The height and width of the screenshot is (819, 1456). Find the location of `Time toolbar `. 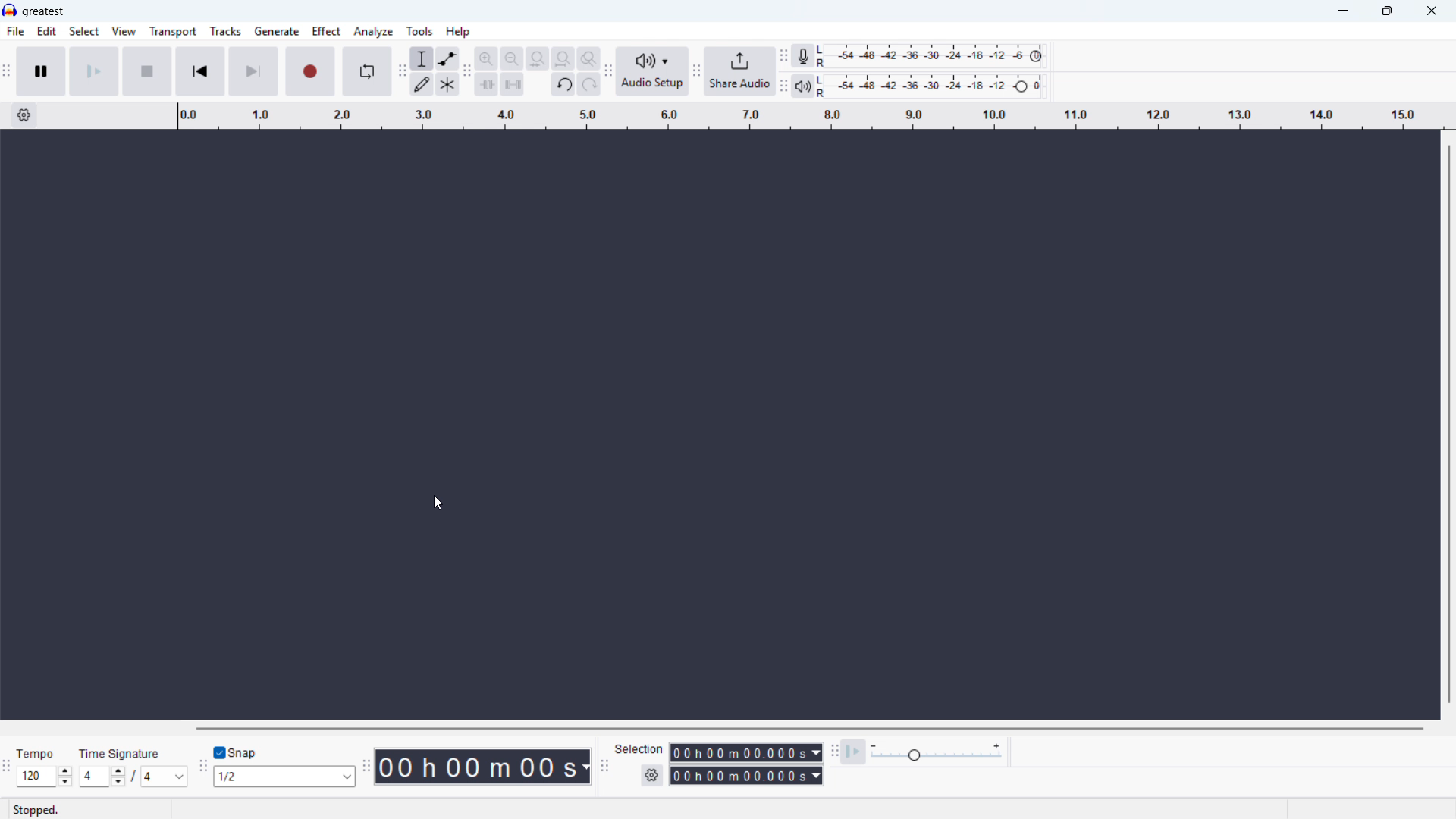

Time toolbar  is located at coordinates (368, 767).